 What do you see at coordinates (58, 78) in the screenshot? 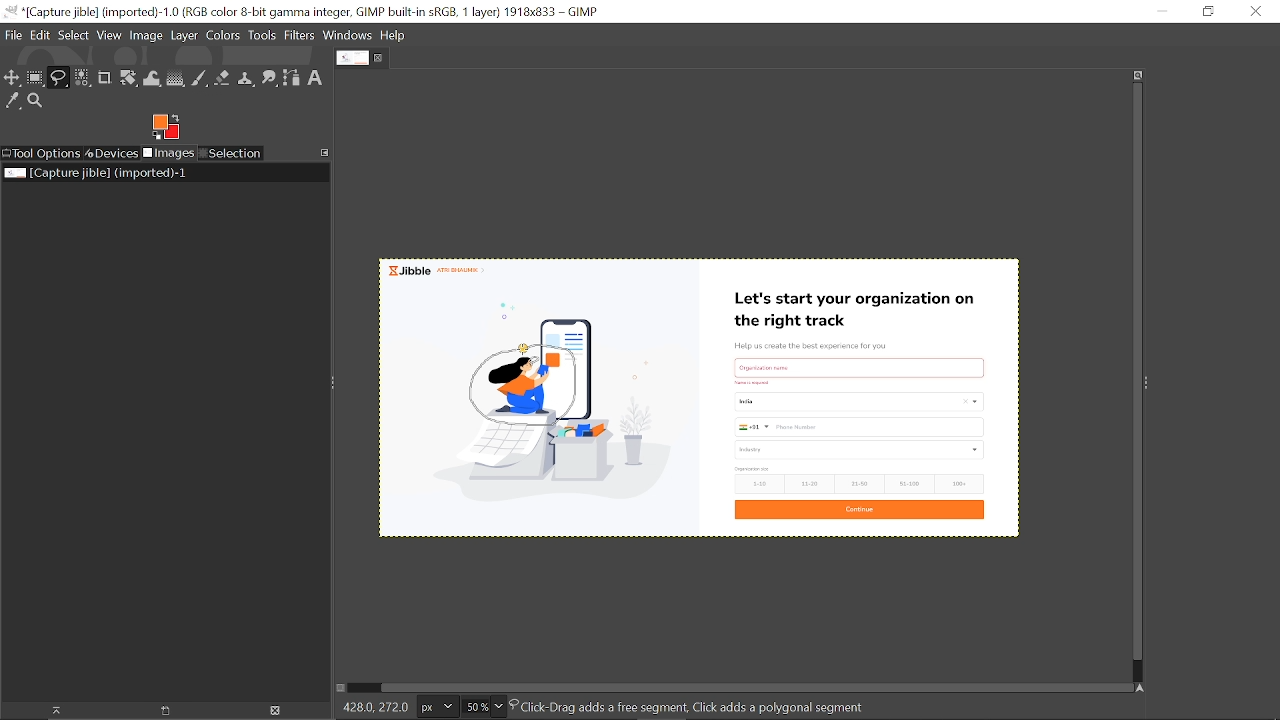
I see `Free select tool` at bounding box center [58, 78].